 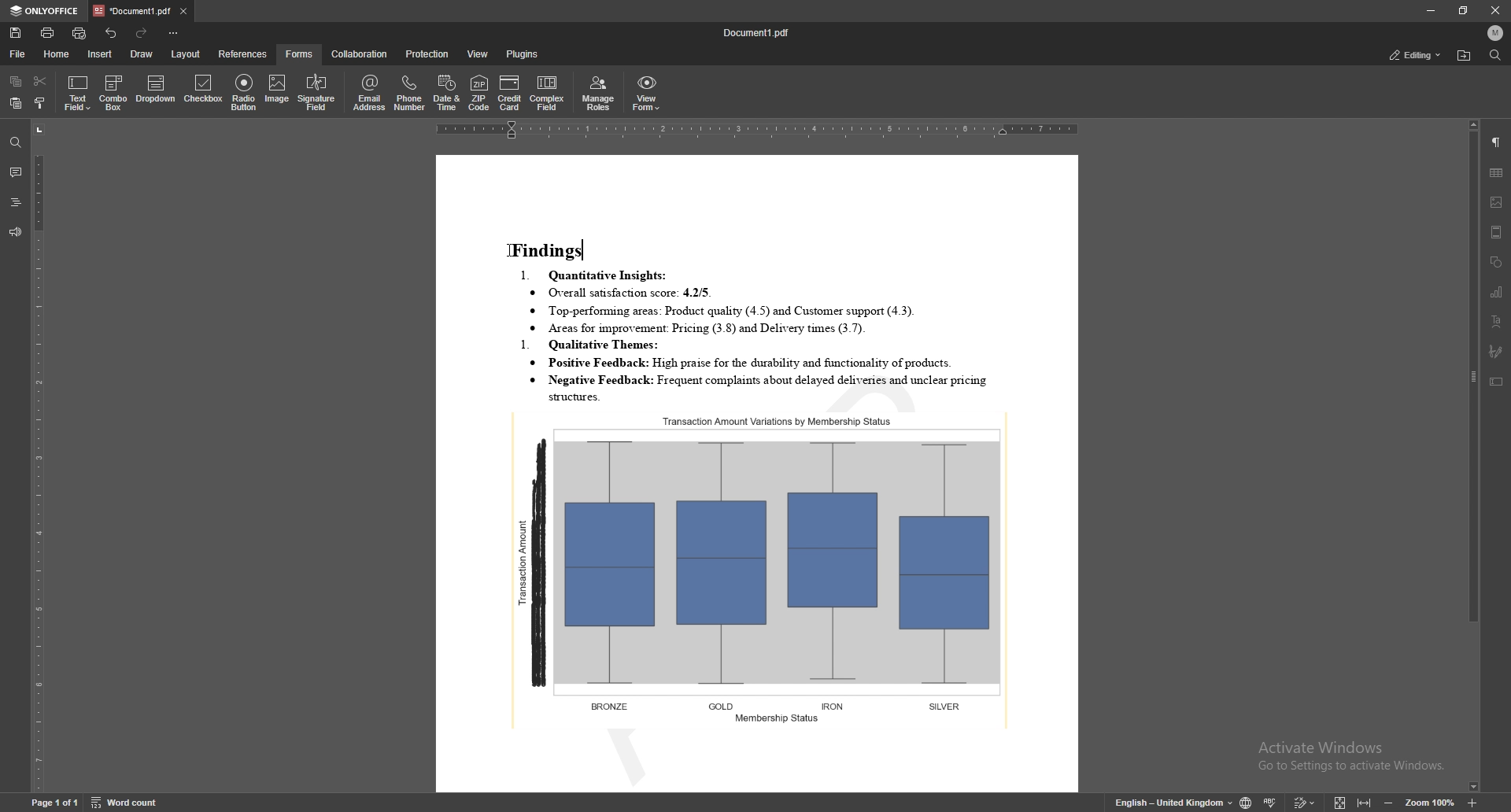 What do you see at coordinates (42, 102) in the screenshot?
I see `copy style` at bounding box center [42, 102].